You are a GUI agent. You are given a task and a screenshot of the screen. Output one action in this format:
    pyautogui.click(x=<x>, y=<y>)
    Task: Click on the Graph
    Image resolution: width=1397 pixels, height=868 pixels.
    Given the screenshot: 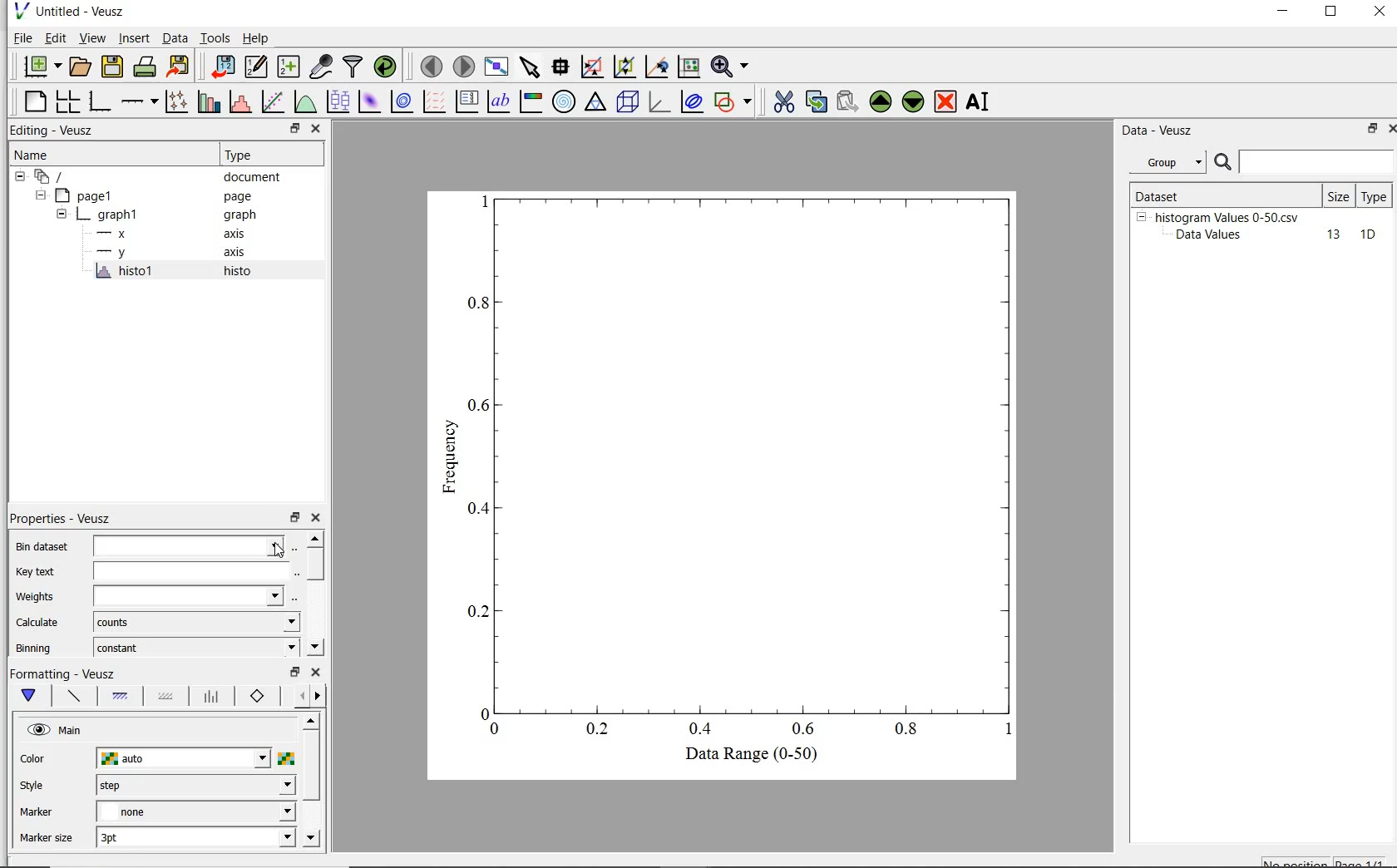 What is the action you would take?
    pyautogui.click(x=742, y=462)
    